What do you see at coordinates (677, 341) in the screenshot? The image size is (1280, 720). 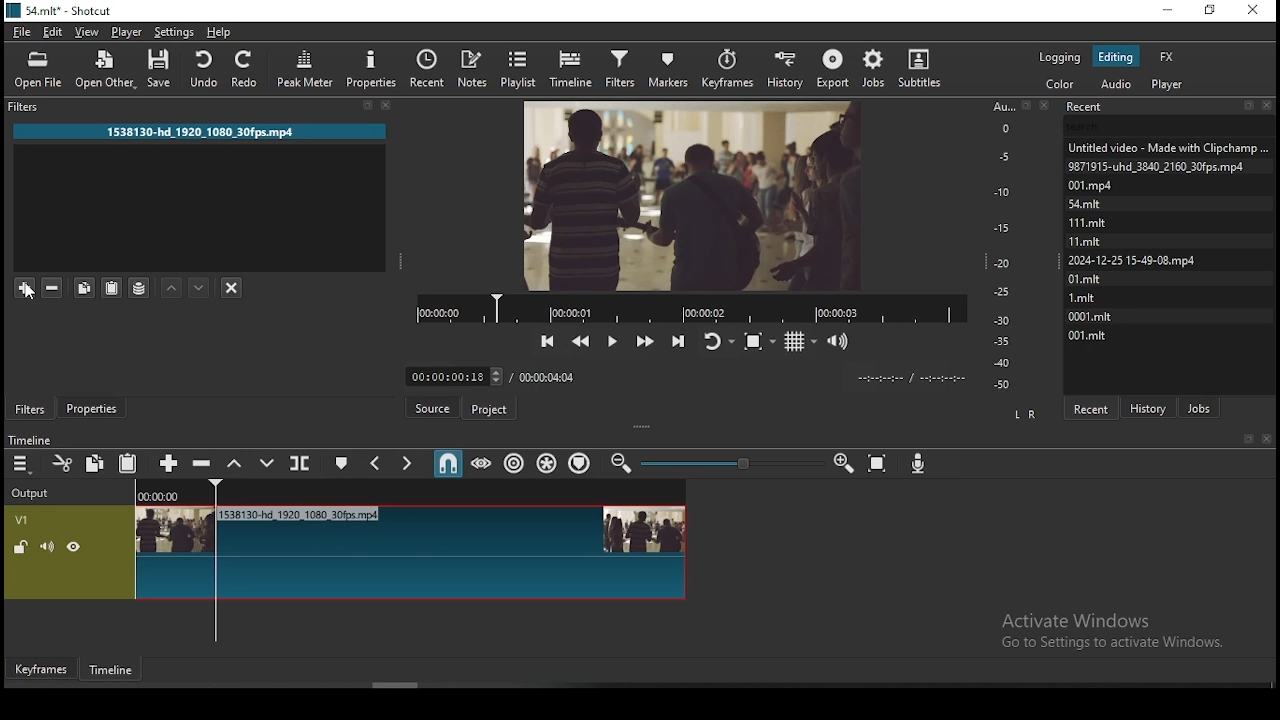 I see `skip to the next point` at bounding box center [677, 341].